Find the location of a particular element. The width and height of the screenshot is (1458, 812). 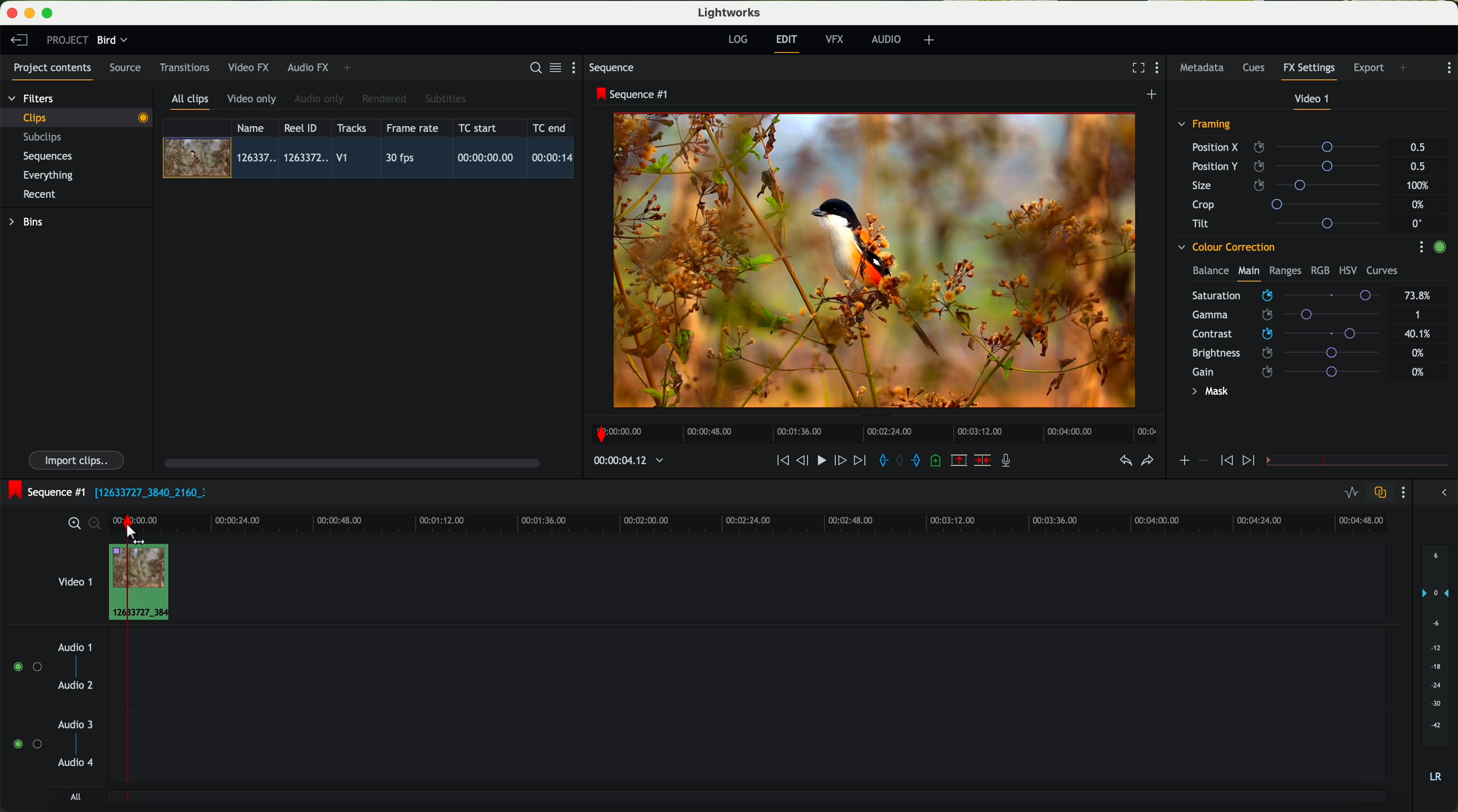

sequence #1 is located at coordinates (633, 94).